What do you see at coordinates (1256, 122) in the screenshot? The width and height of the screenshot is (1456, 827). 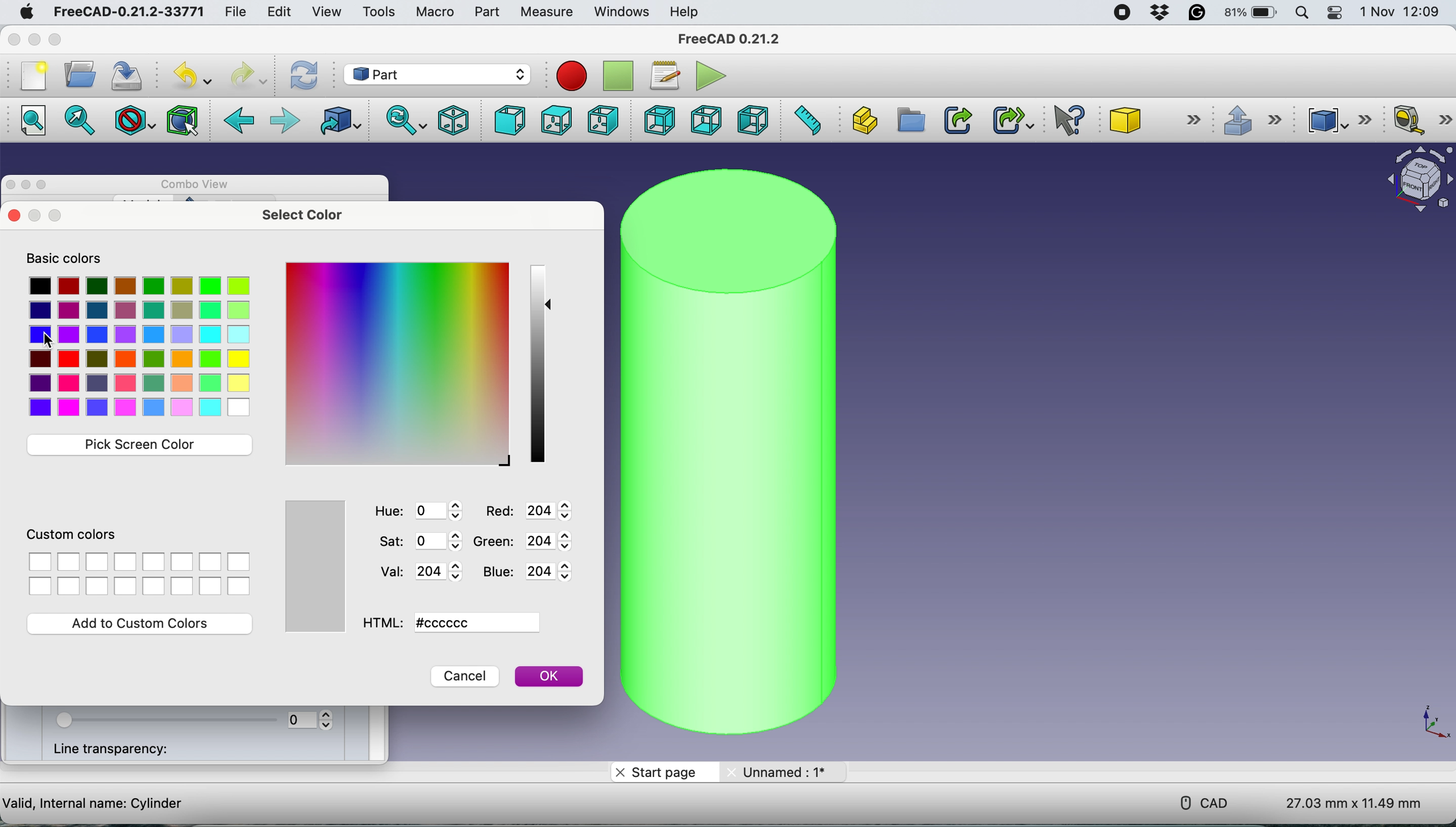 I see `extrusions` at bounding box center [1256, 122].